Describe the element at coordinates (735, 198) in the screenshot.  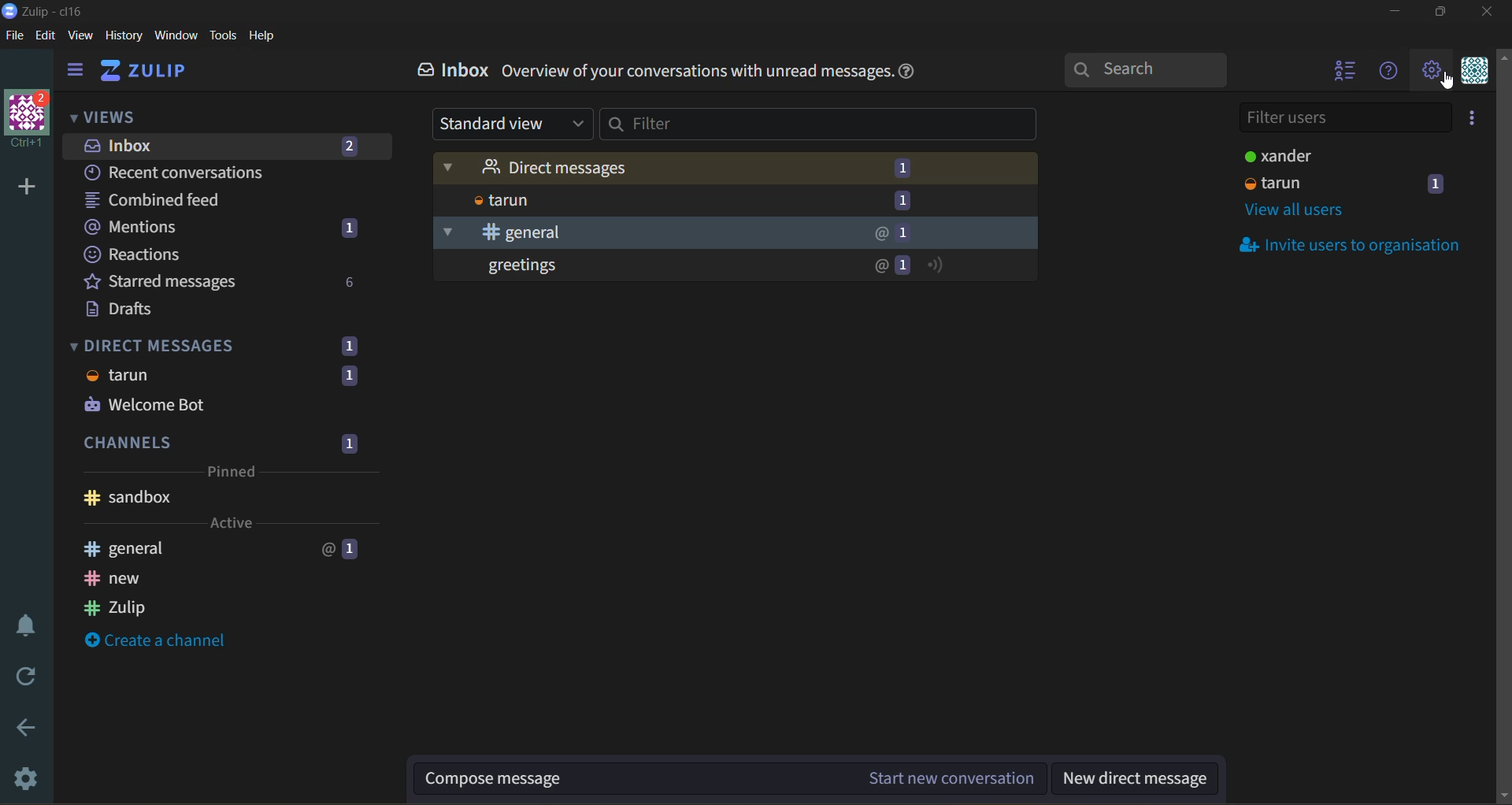
I see `tarun` at that location.